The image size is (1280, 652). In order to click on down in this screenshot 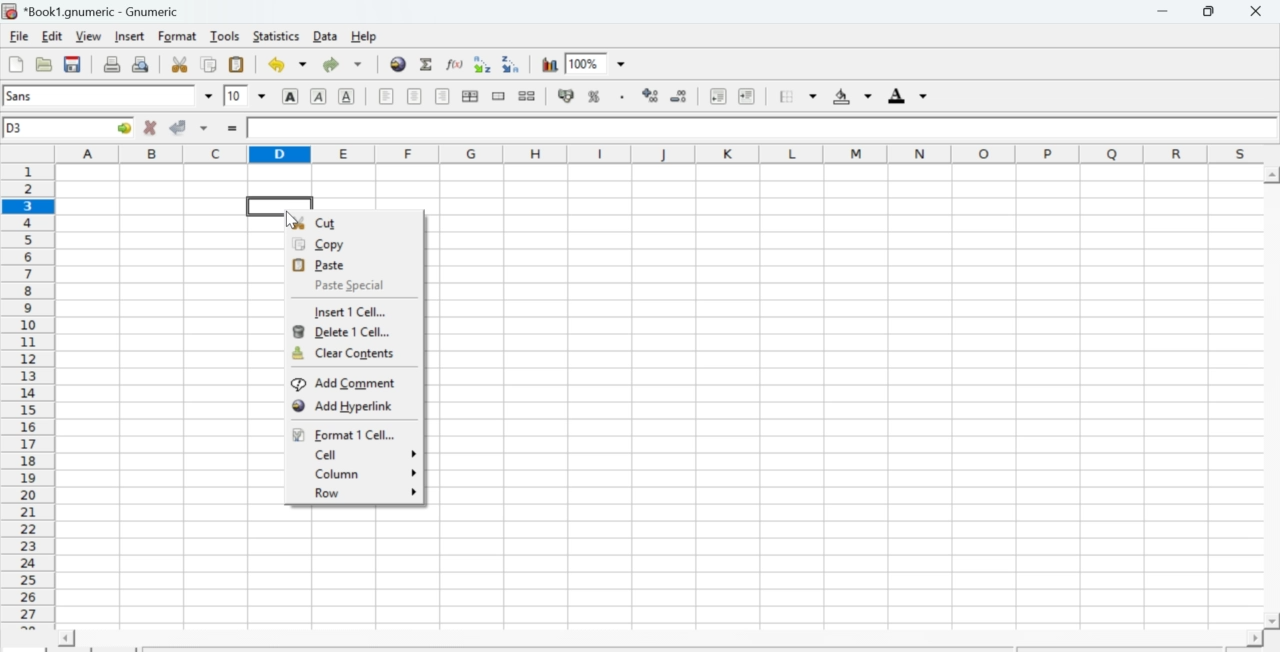, I will do `click(623, 64)`.